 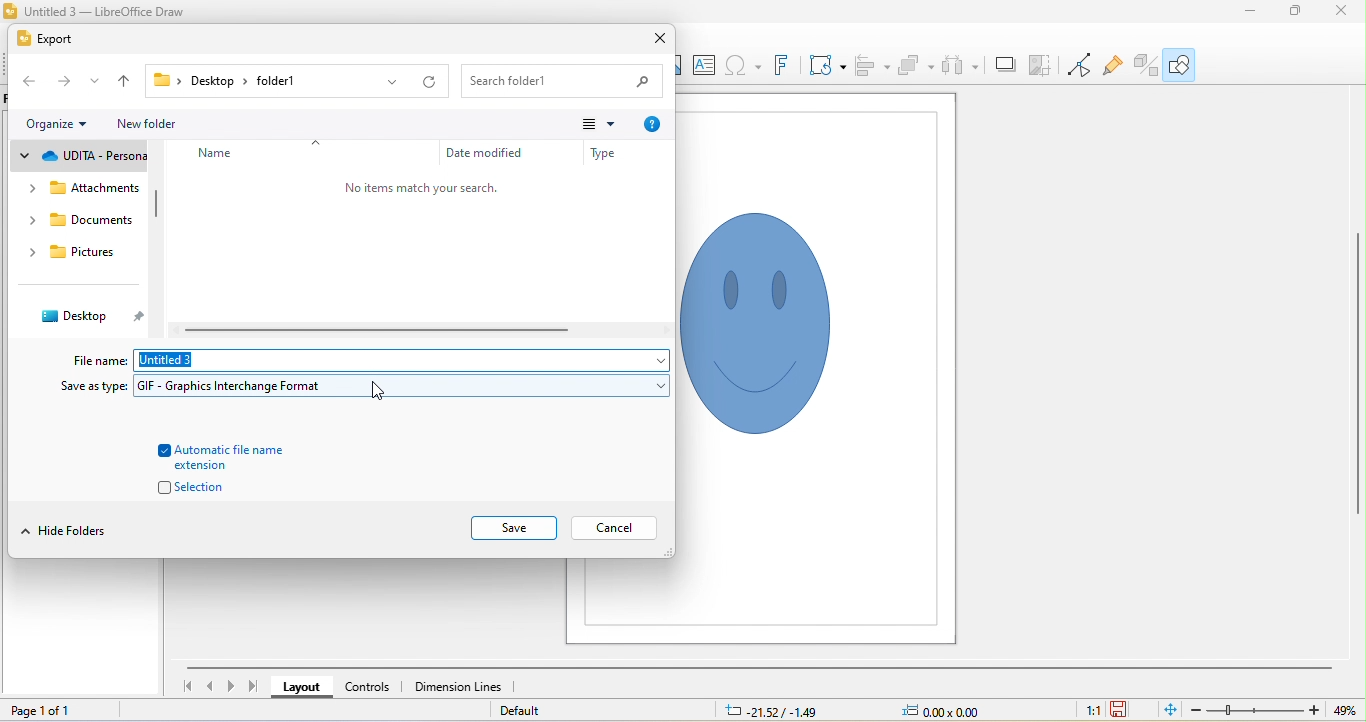 What do you see at coordinates (458, 685) in the screenshot?
I see `dimension lines` at bounding box center [458, 685].